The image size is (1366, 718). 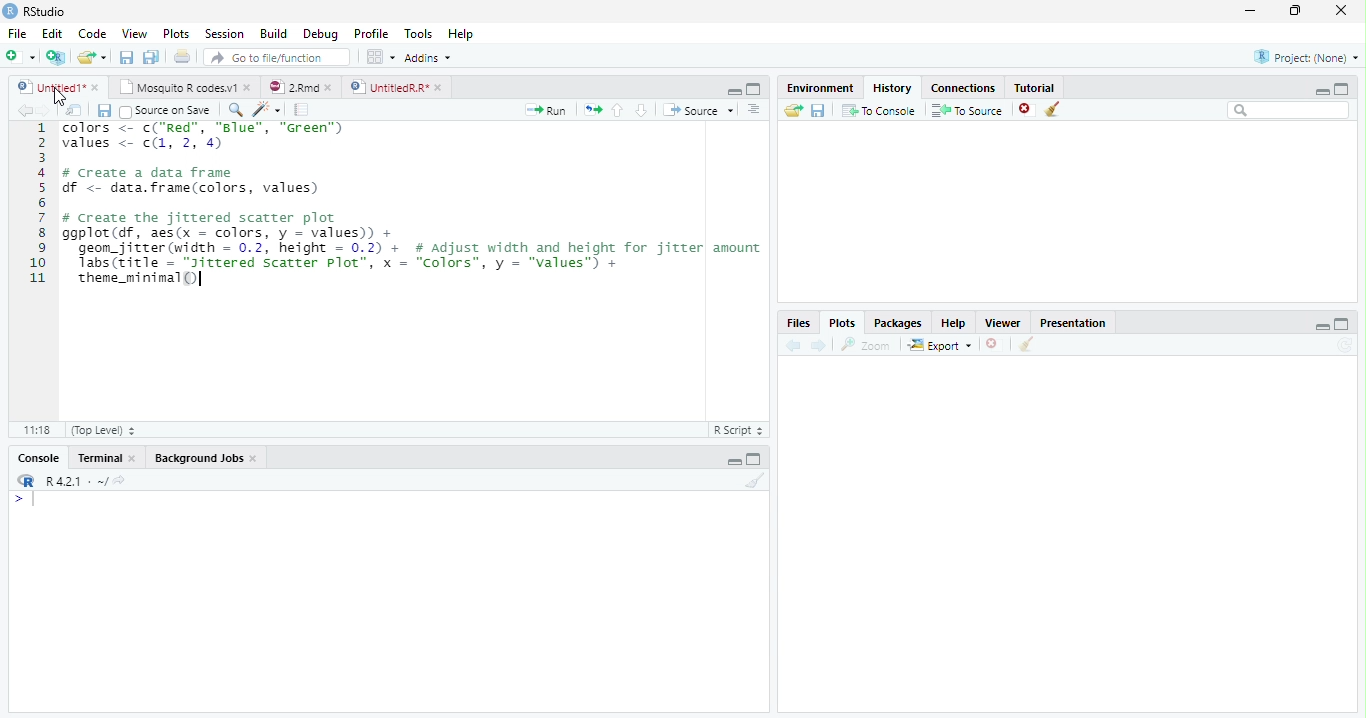 I want to click on Code tools, so click(x=268, y=110).